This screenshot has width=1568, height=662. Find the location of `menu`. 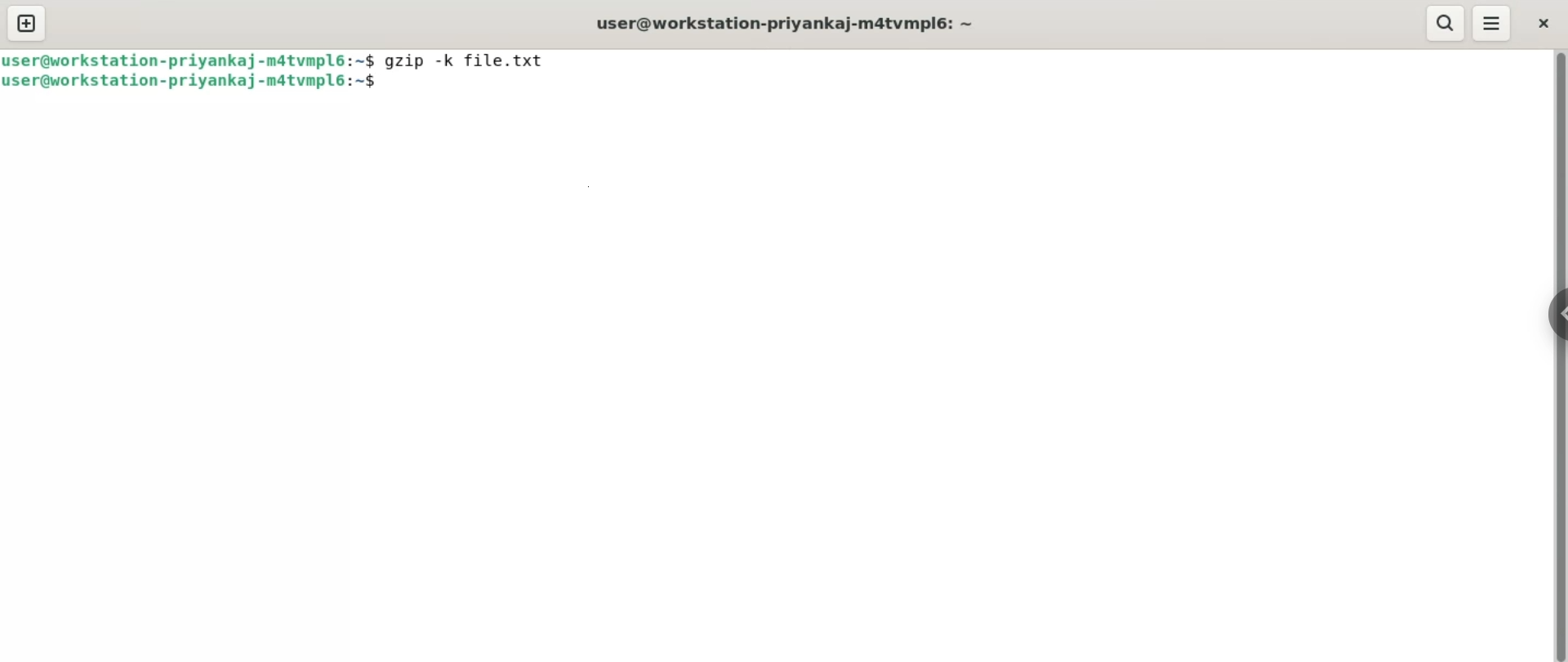

menu is located at coordinates (1494, 23).